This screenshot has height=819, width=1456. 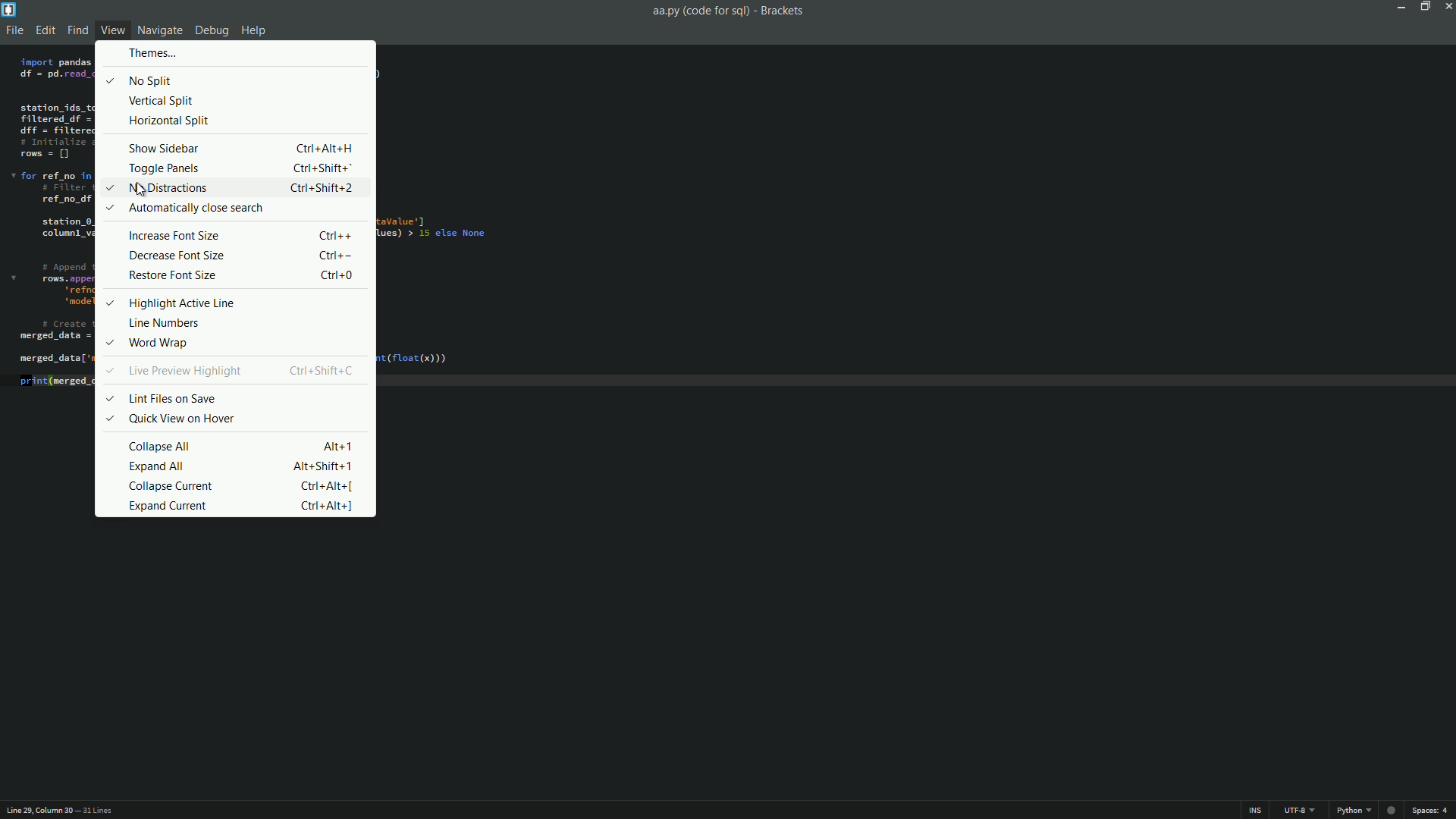 I want to click on find menu, so click(x=77, y=30).